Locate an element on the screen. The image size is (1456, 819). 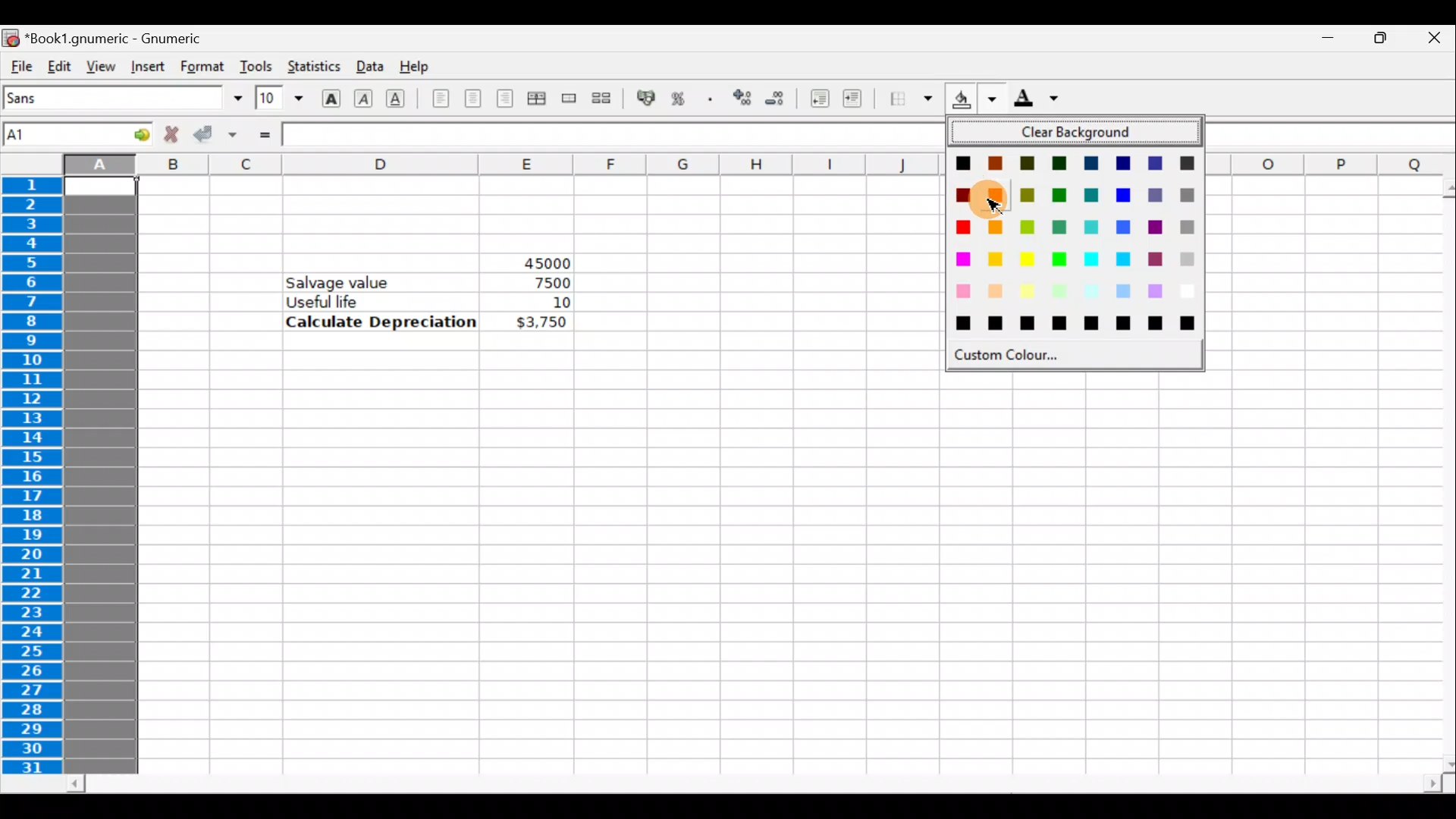
Edit is located at coordinates (59, 65).